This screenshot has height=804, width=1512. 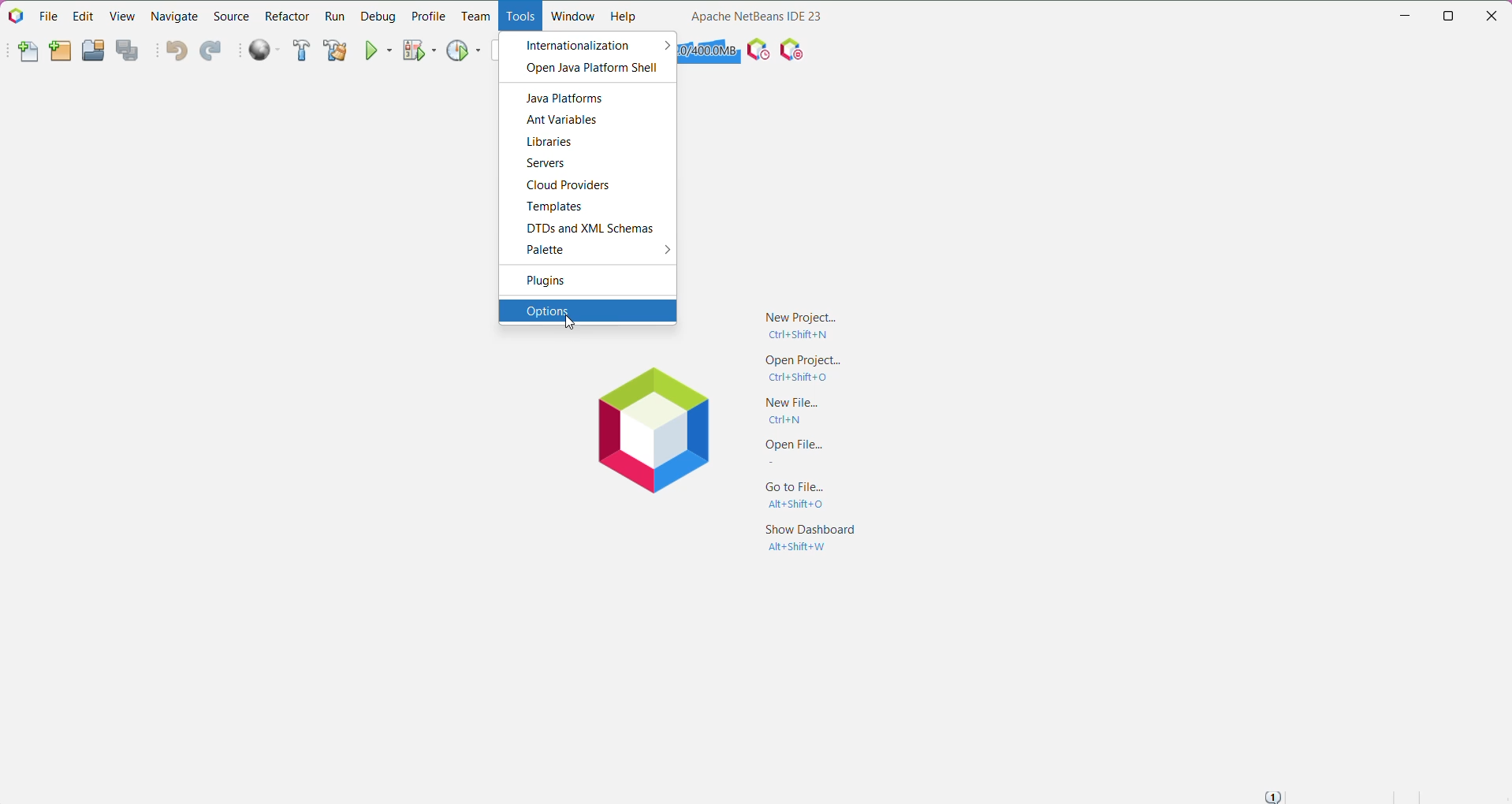 I want to click on Go to File, so click(x=799, y=496).